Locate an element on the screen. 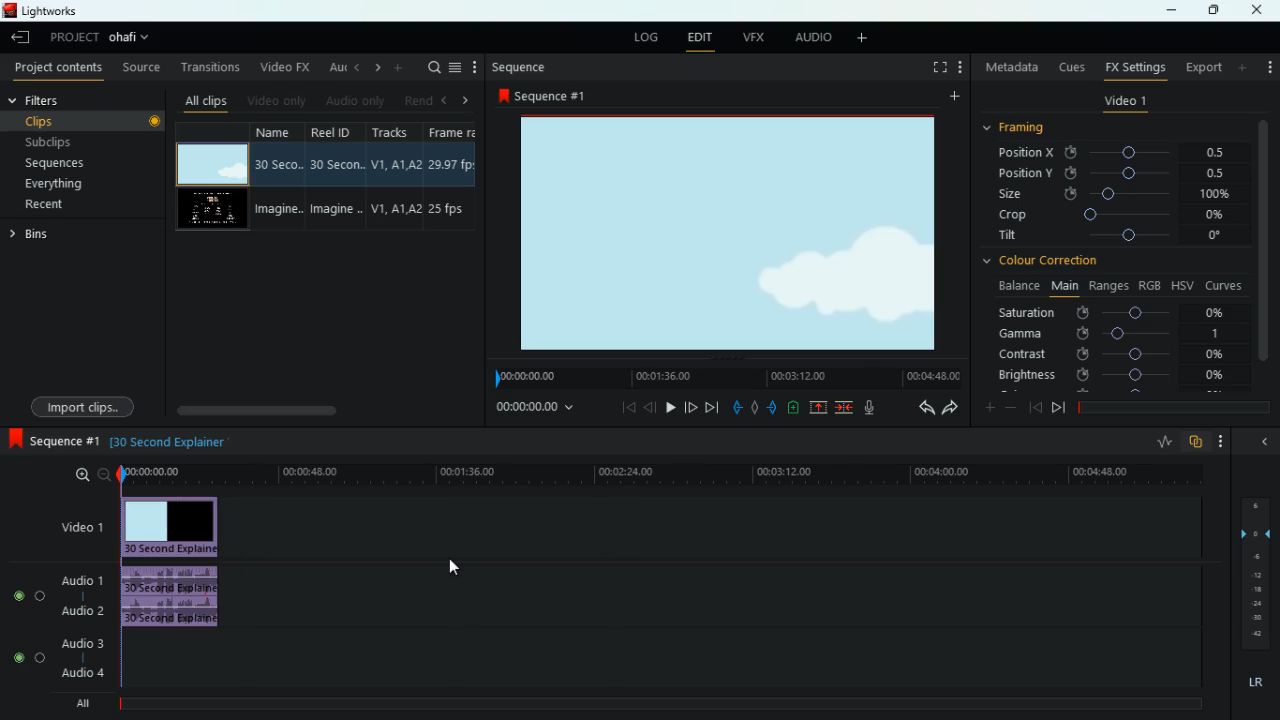 This screenshot has width=1280, height=720. audio is located at coordinates (807, 37).